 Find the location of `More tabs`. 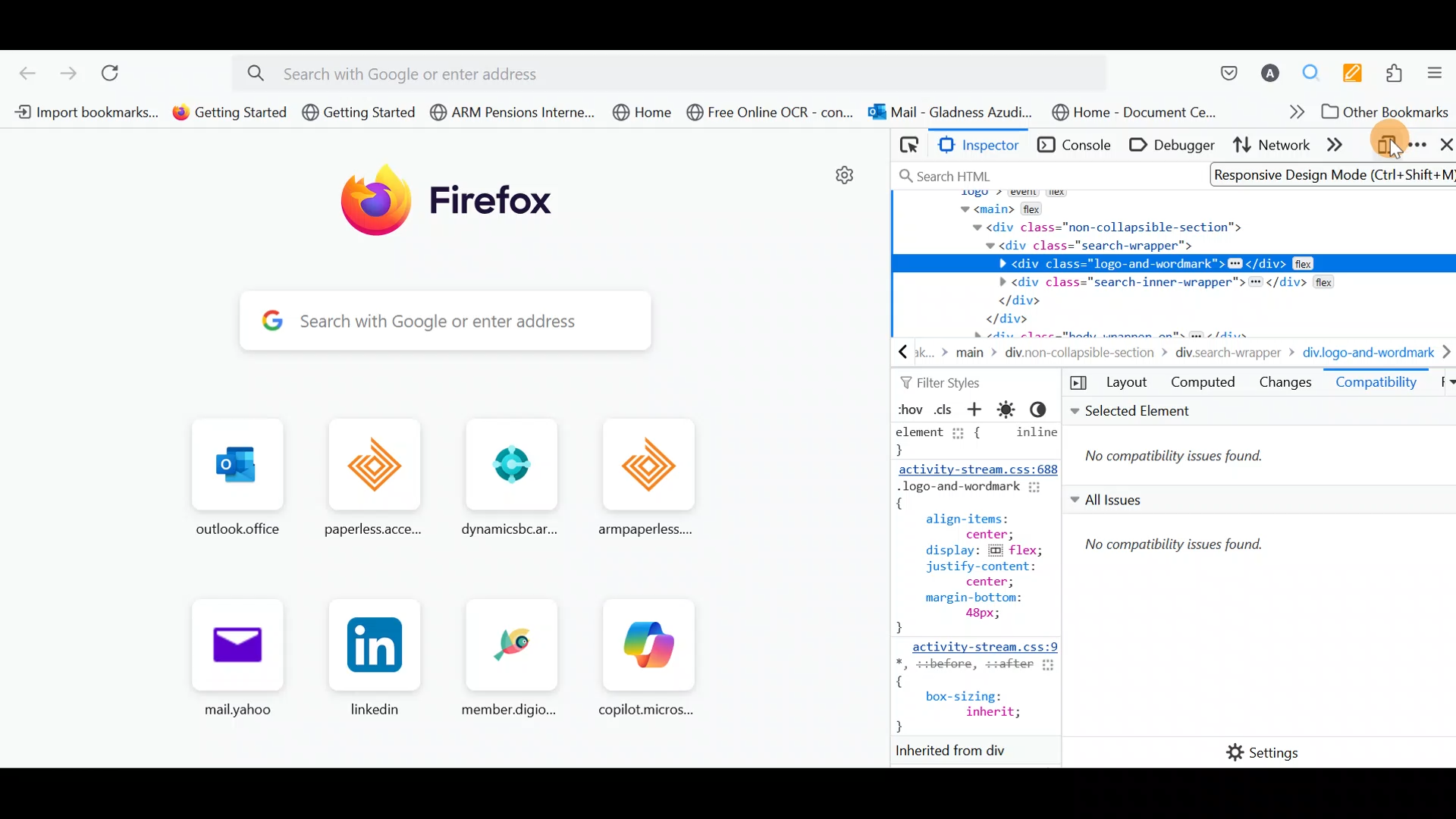

More tabs is located at coordinates (1343, 147).